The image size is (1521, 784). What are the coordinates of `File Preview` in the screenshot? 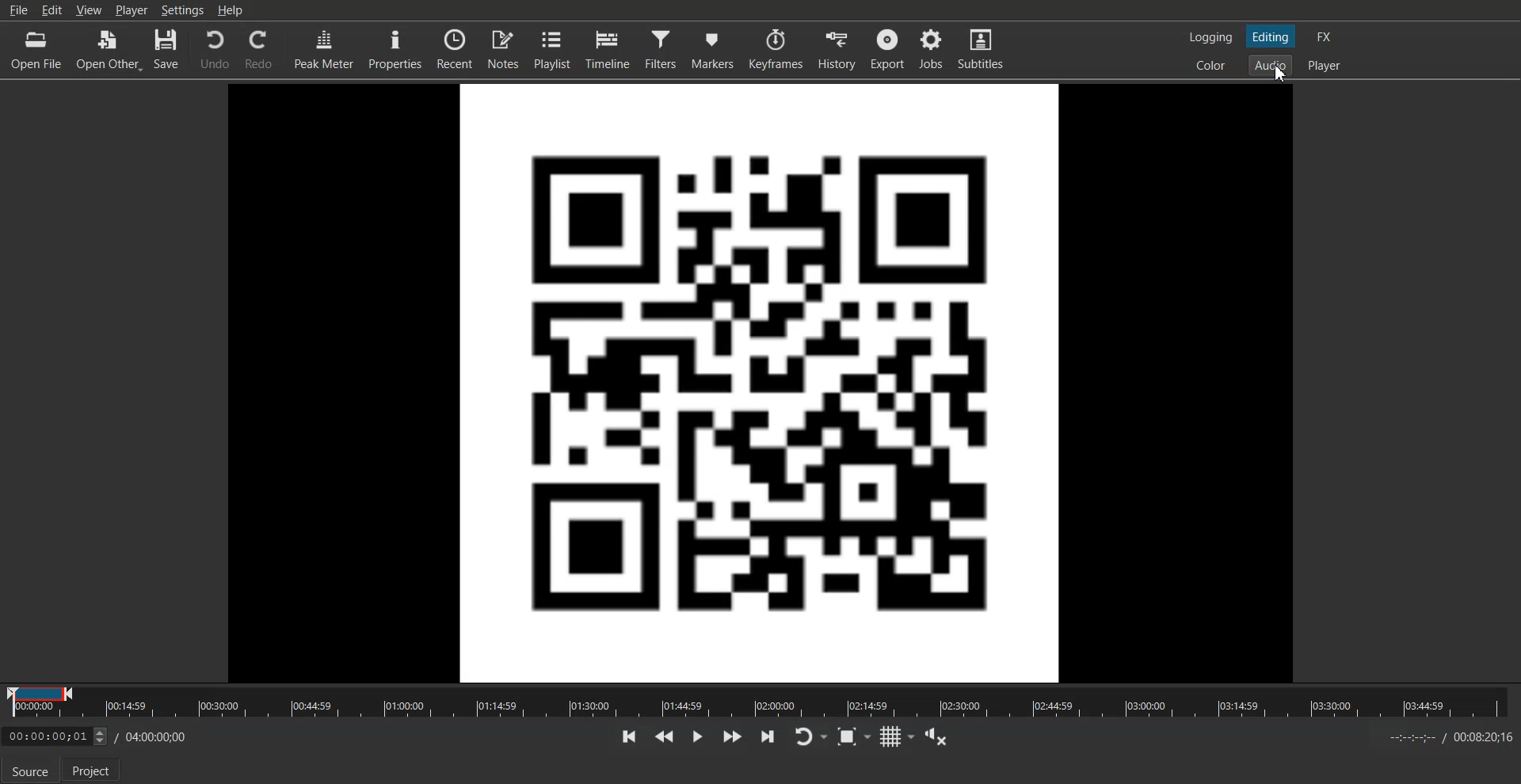 It's located at (757, 382).